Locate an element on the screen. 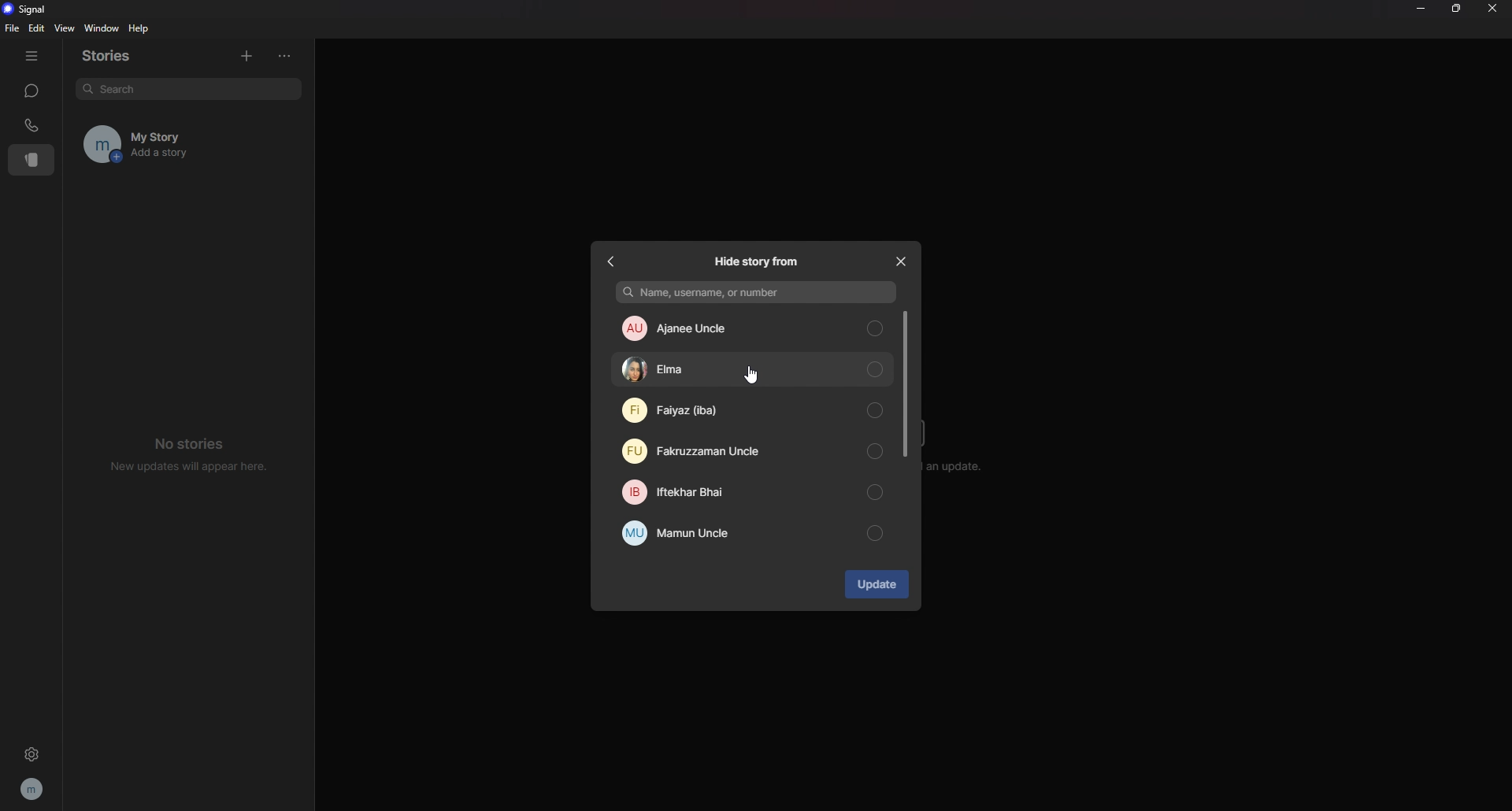 This screenshot has height=811, width=1512. no stories new updates will appear here is located at coordinates (191, 453).